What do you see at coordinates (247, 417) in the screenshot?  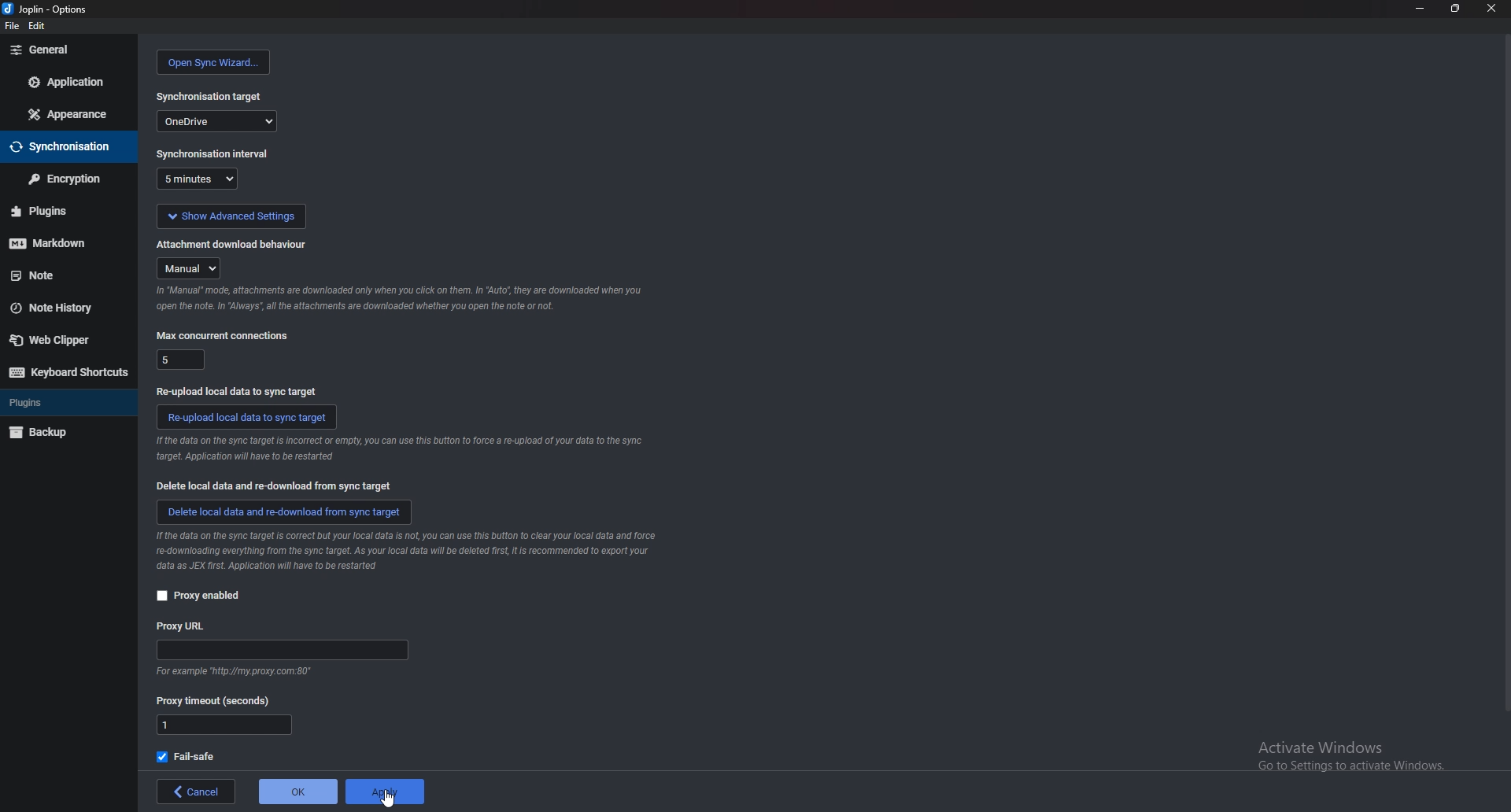 I see `re upload local data` at bounding box center [247, 417].